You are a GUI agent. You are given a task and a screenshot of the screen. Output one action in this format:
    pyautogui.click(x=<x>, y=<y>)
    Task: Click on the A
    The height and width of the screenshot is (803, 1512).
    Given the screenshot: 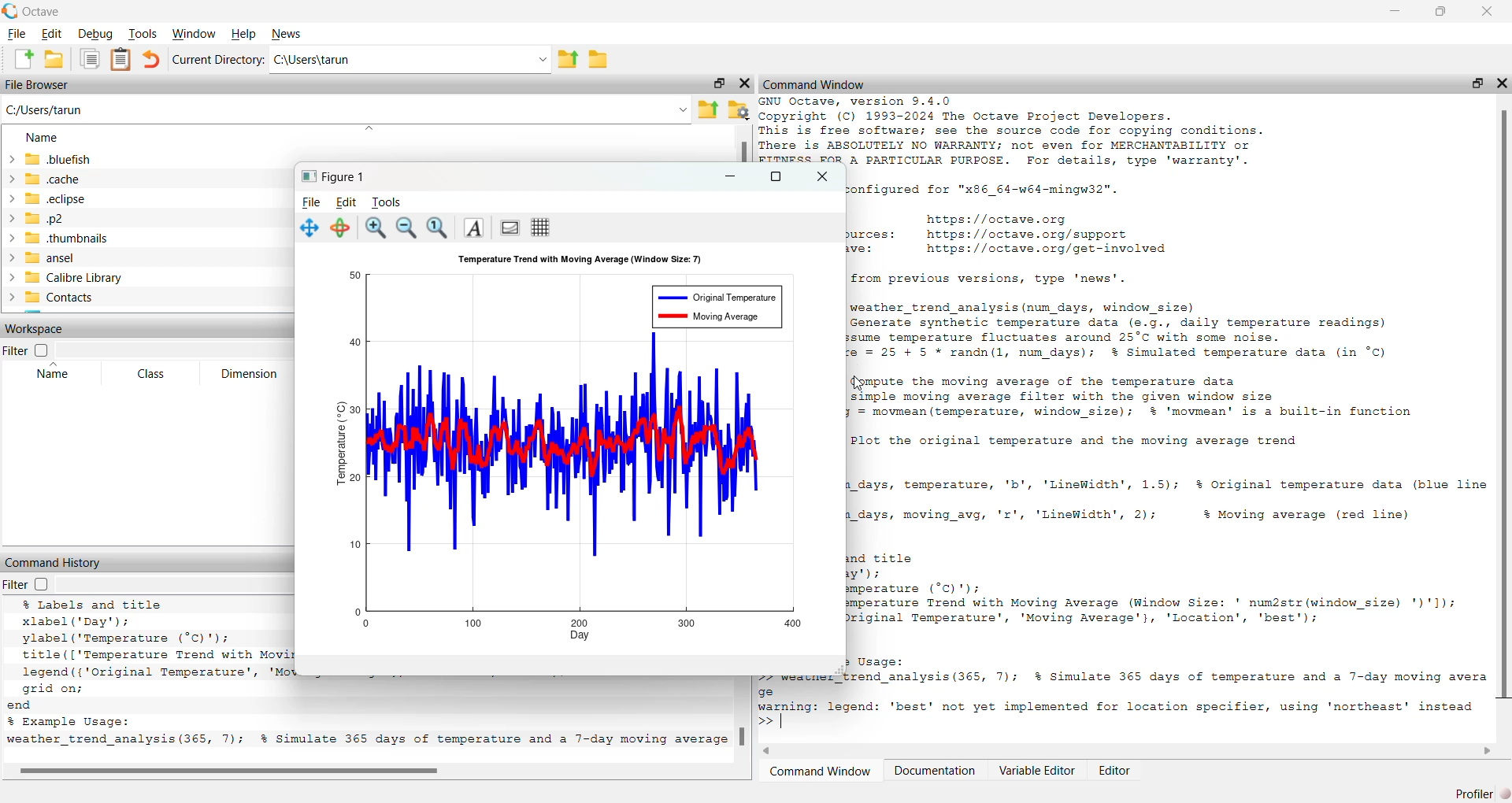 What is the action you would take?
    pyautogui.click(x=476, y=228)
    